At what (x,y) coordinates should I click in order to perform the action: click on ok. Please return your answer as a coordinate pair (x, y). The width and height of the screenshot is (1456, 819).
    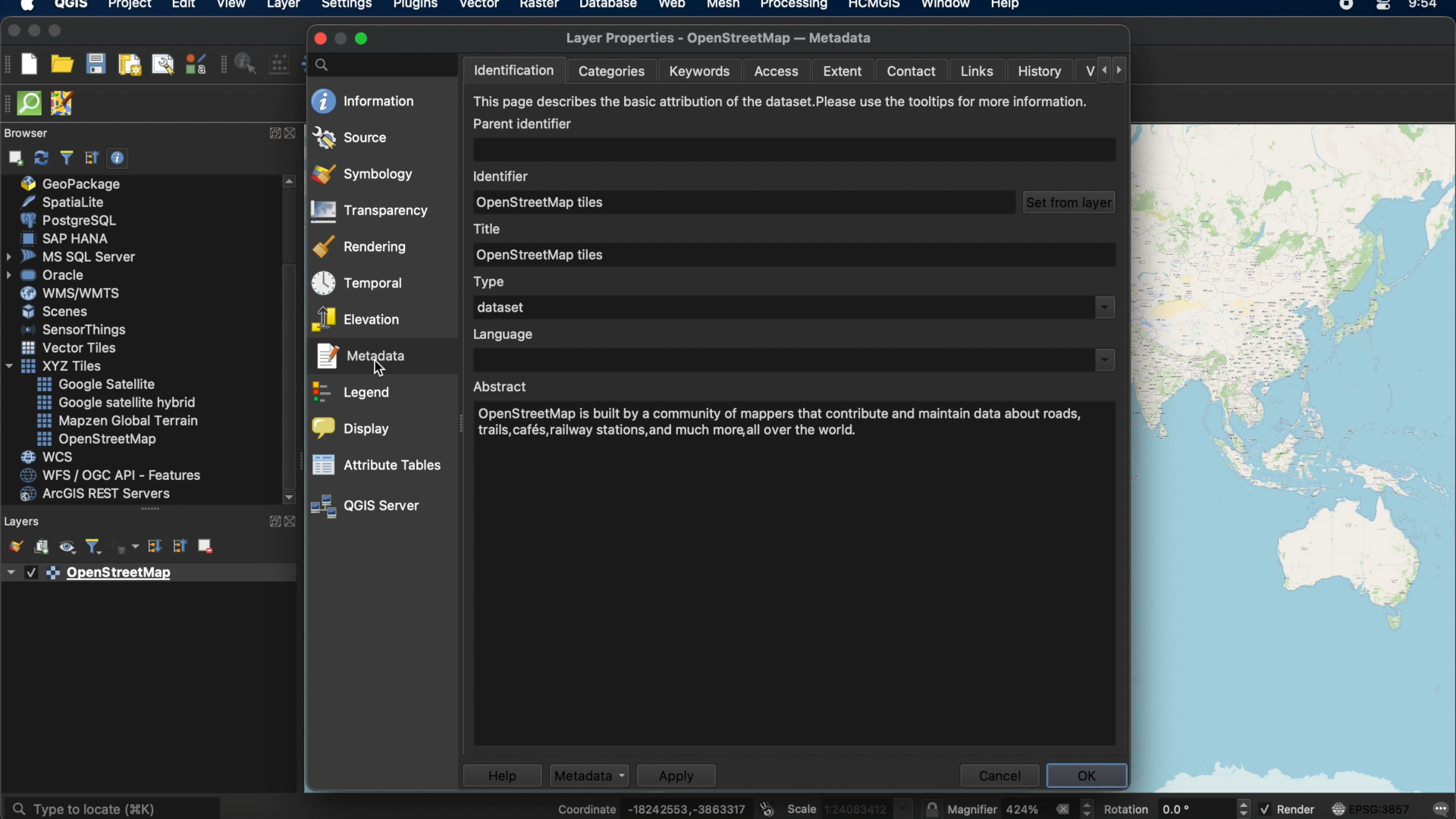
    Looking at the image, I should click on (1087, 776).